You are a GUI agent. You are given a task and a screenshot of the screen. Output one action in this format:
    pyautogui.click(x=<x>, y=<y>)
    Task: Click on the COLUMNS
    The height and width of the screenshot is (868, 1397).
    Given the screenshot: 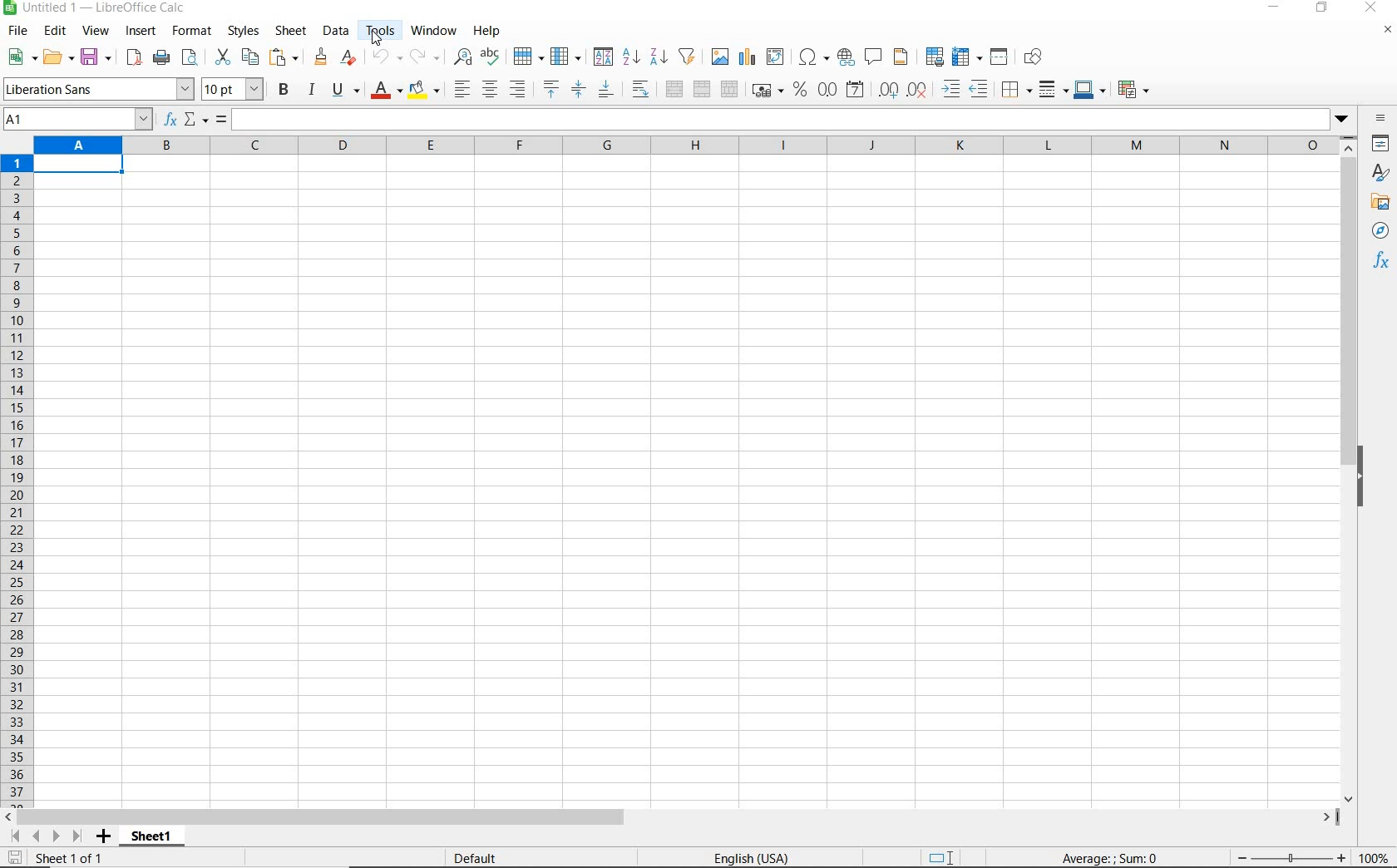 What is the action you would take?
    pyautogui.click(x=684, y=145)
    